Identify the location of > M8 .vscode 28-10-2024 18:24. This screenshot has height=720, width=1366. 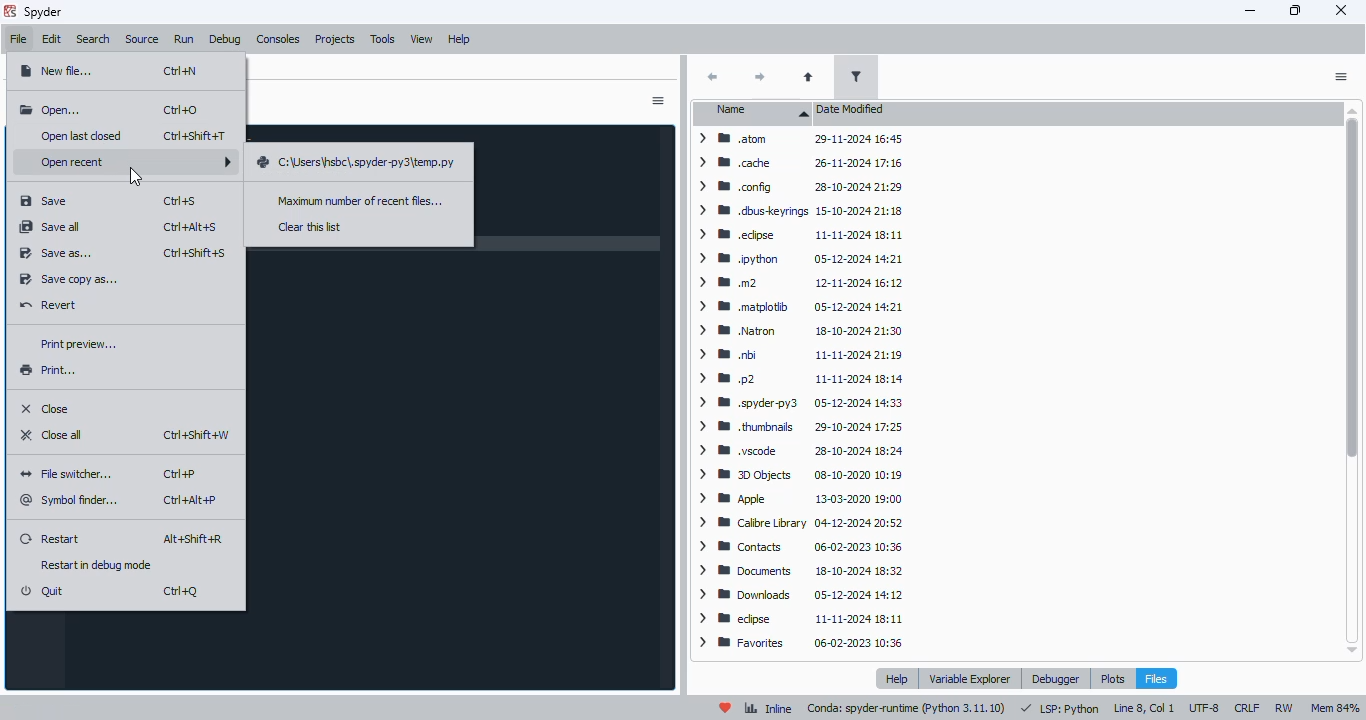
(798, 451).